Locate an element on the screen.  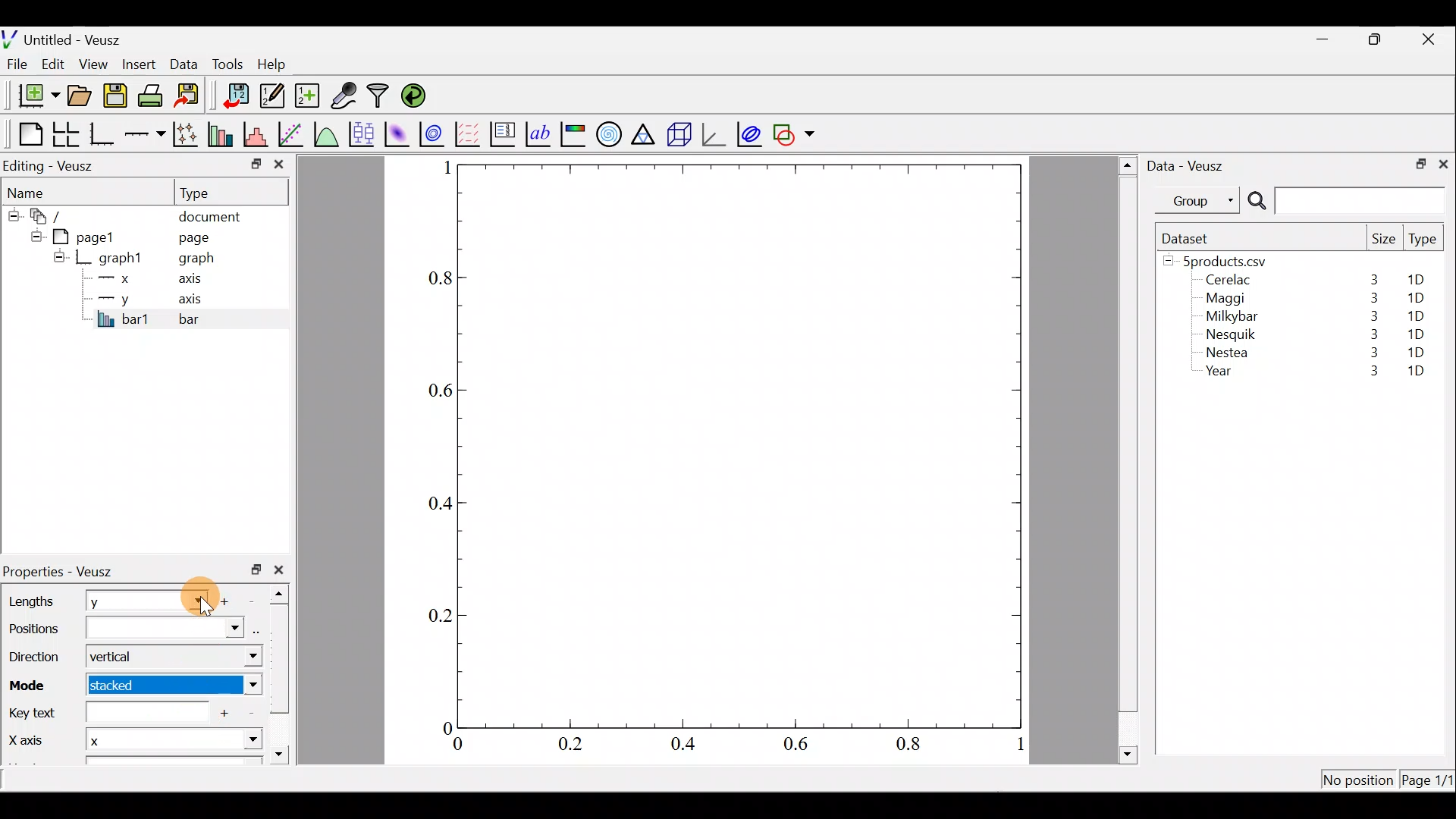
stacked is located at coordinates (124, 686).